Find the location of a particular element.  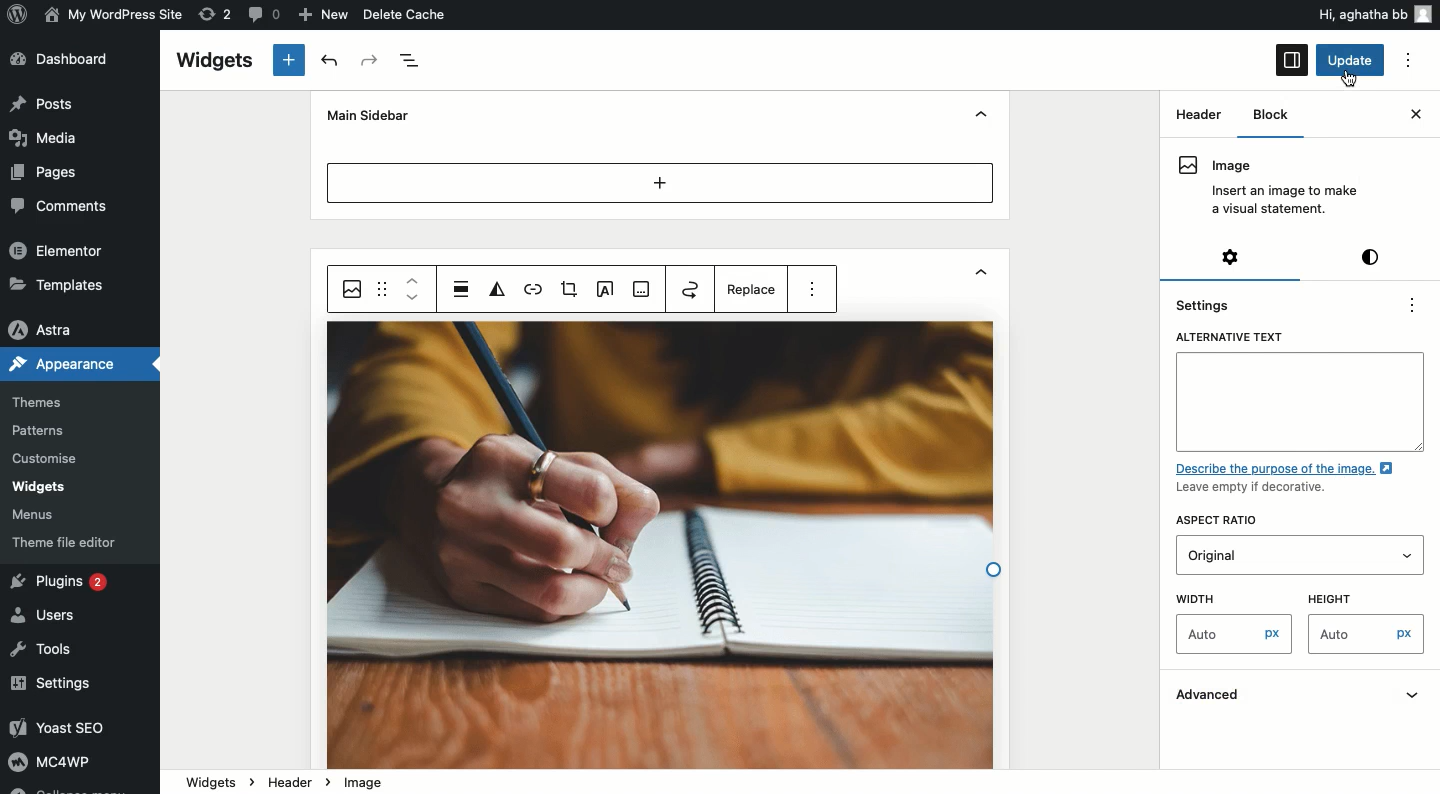

Hi user is located at coordinates (1373, 14).